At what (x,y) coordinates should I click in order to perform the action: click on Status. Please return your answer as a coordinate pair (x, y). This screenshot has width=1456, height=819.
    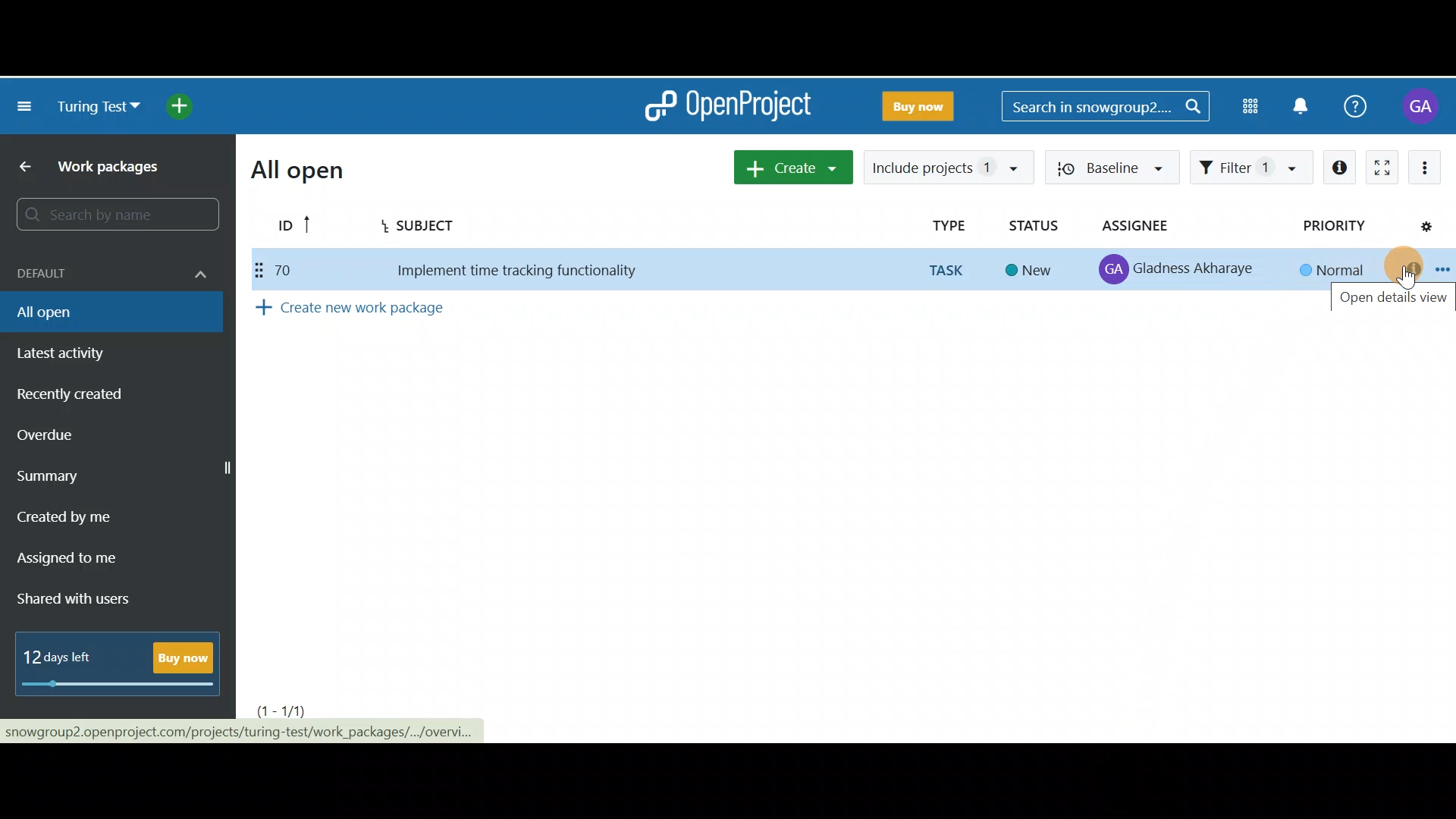
    Looking at the image, I should click on (1036, 225).